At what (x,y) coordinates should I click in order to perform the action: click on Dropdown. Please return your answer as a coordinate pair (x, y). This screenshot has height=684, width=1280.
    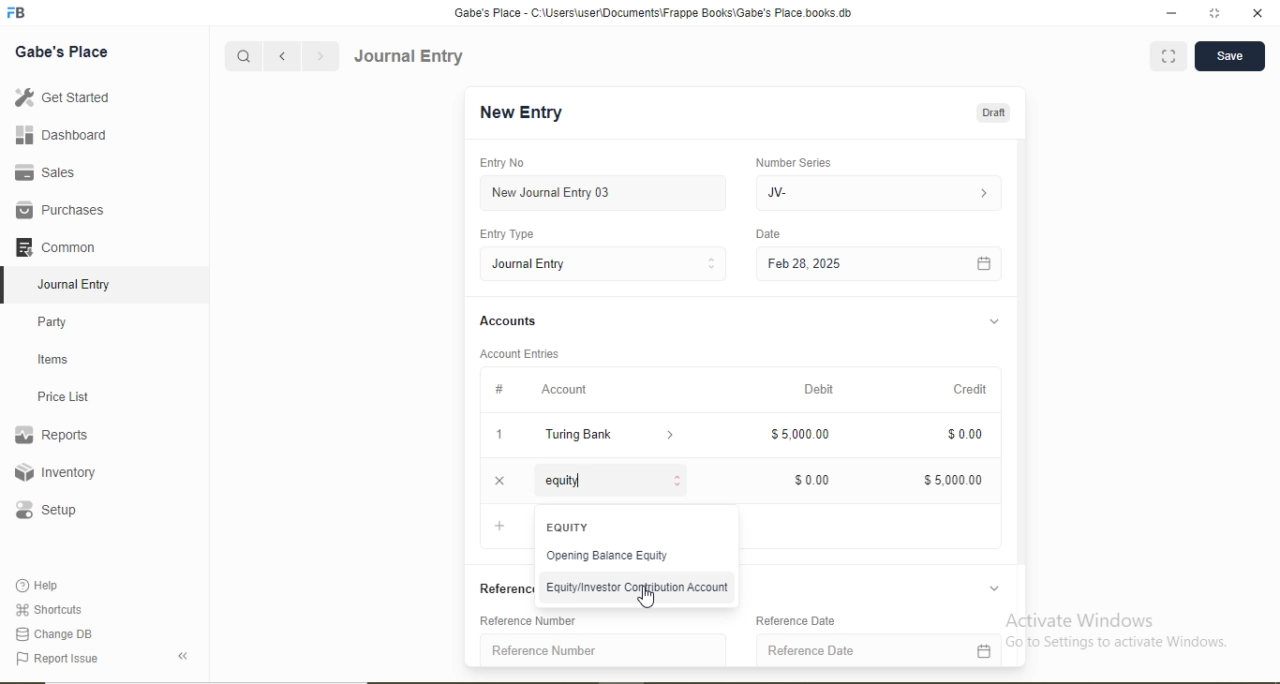
    Looking at the image, I should click on (995, 322).